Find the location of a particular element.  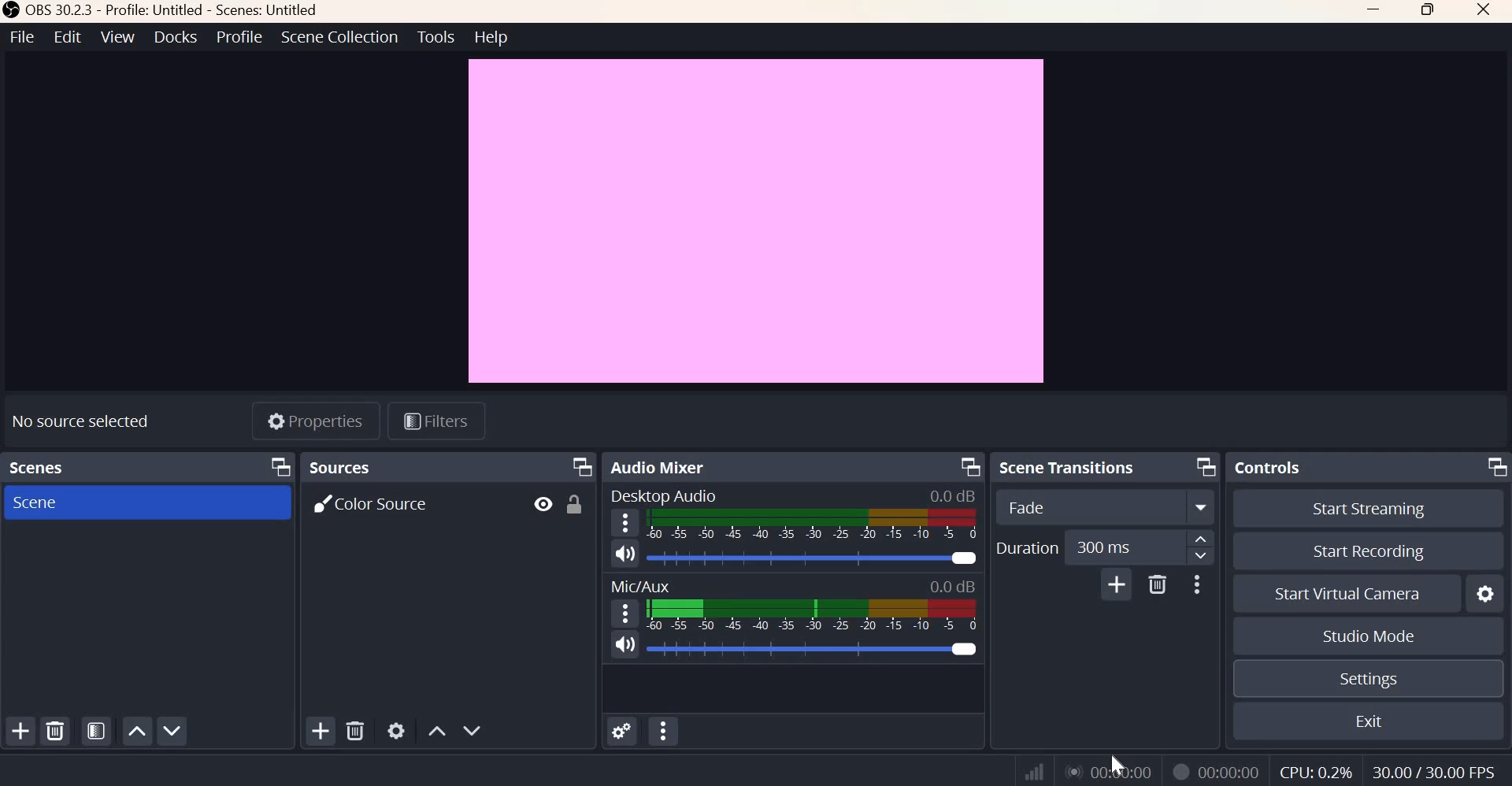

Volume Meter is located at coordinates (811, 614).